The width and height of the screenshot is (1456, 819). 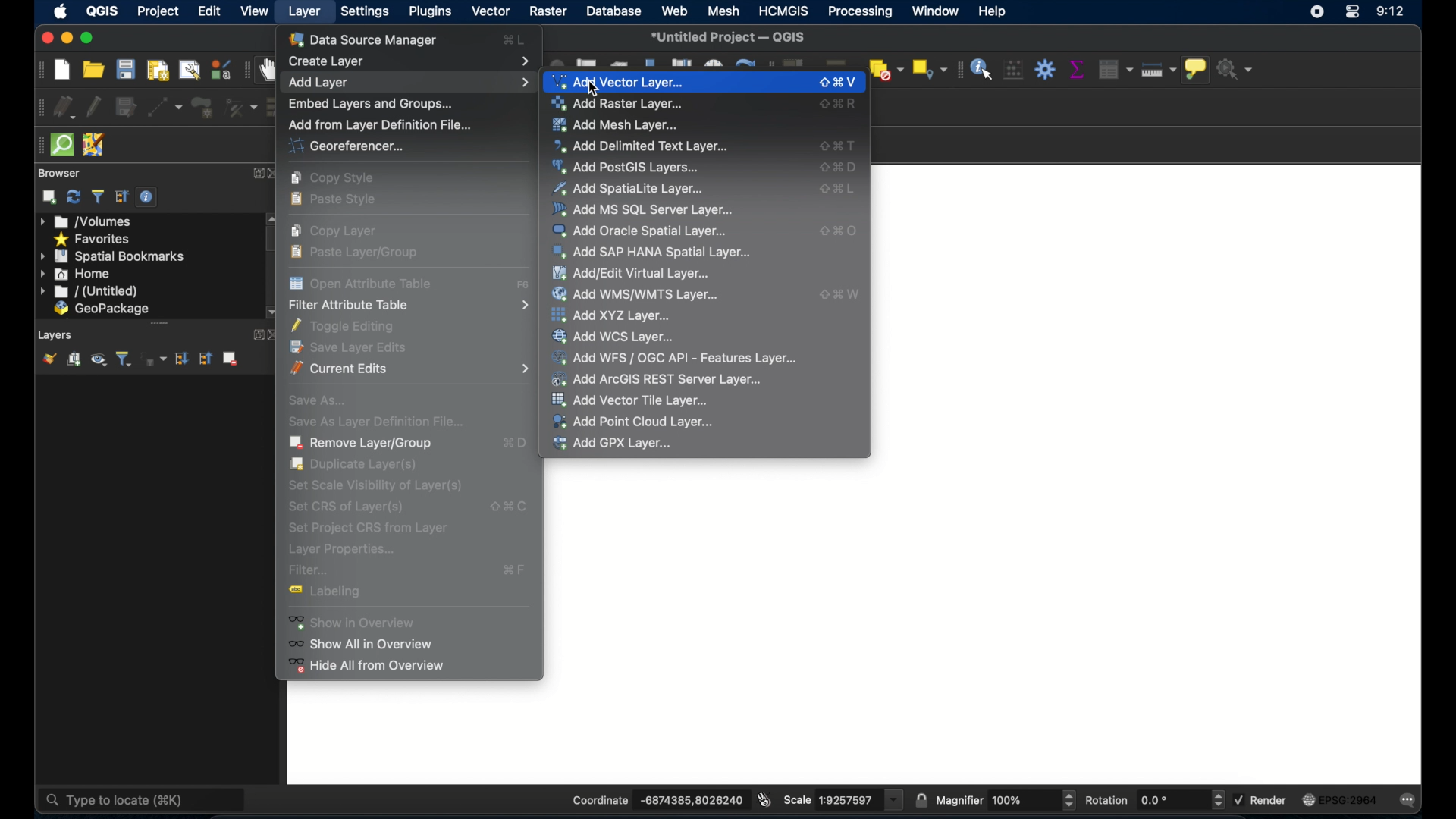 What do you see at coordinates (404, 622) in the screenshot?
I see `Show in overview` at bounding box center [404, 622].